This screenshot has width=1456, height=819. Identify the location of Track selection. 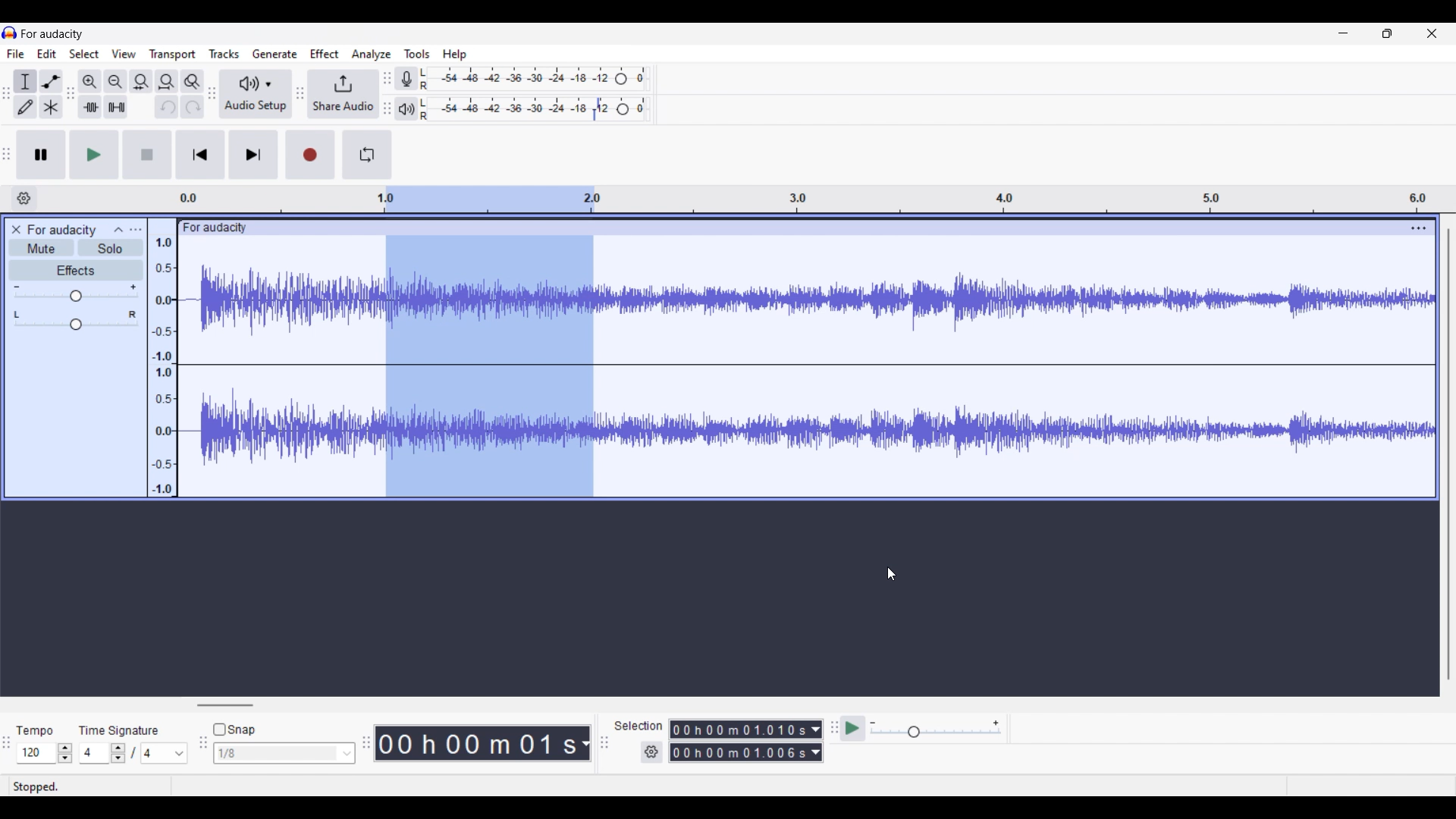
(490, 341).